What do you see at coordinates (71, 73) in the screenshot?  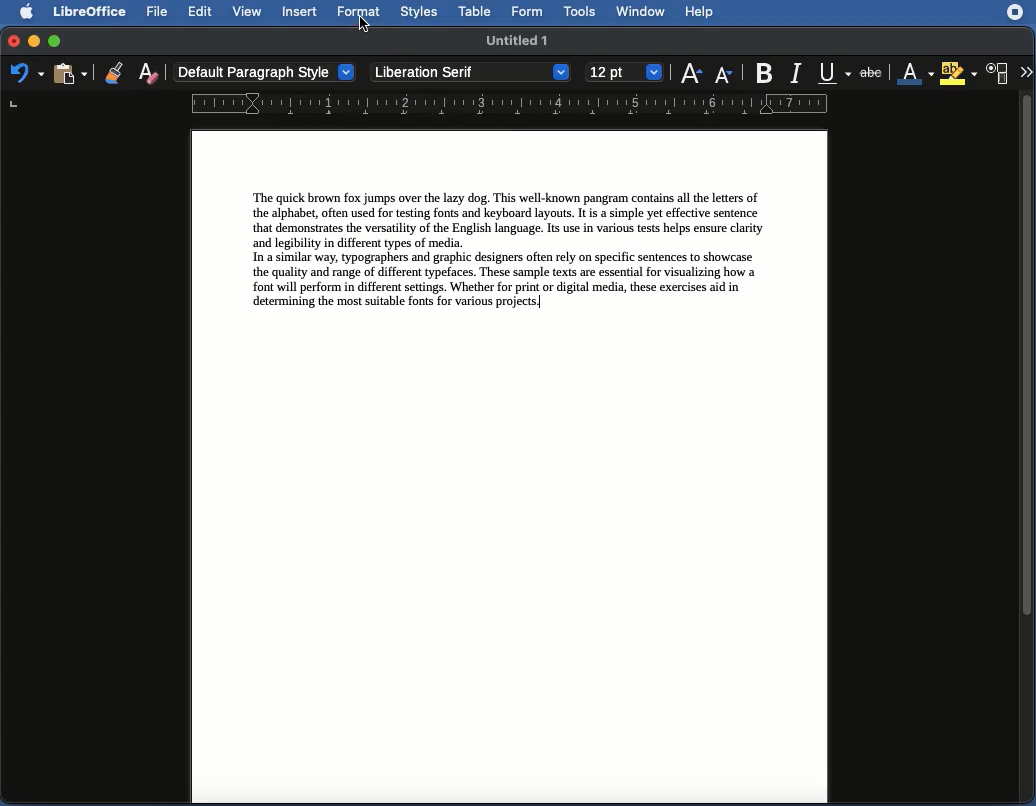 I see `Clipboard` at bounding box center [71, 73].